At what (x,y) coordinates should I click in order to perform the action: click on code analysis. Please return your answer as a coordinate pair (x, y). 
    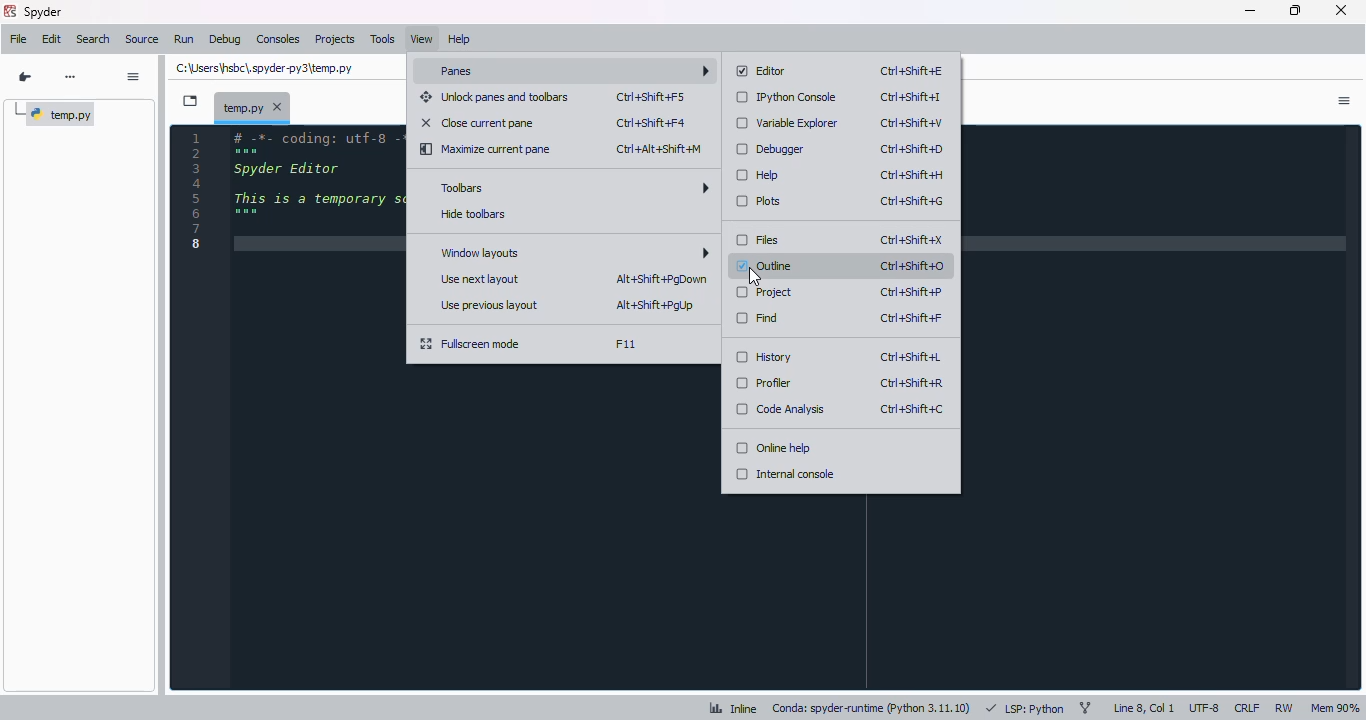
    Looking at the image, I should click on (779, 409).